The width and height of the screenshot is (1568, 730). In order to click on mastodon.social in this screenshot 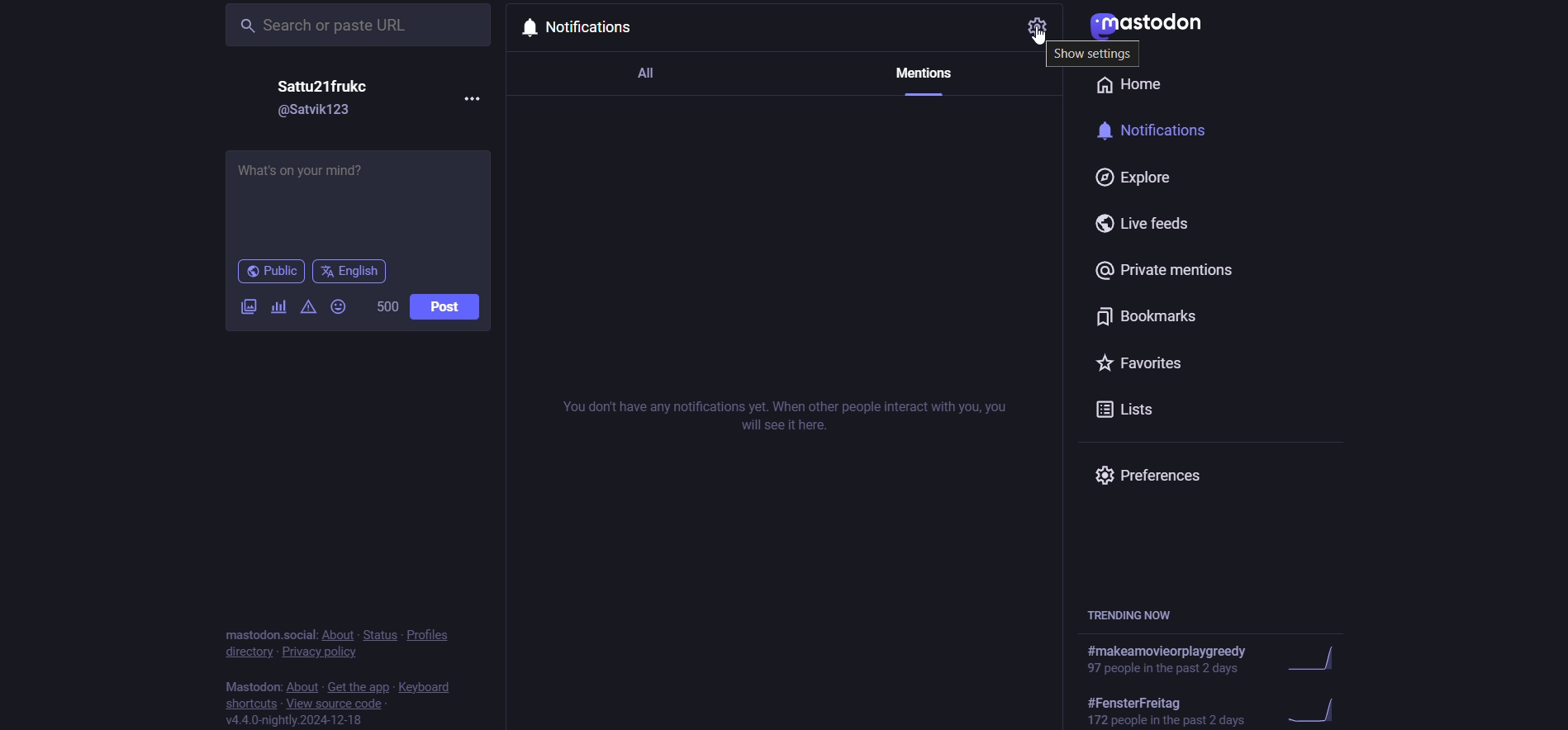, I will do `click(264, 635)`.